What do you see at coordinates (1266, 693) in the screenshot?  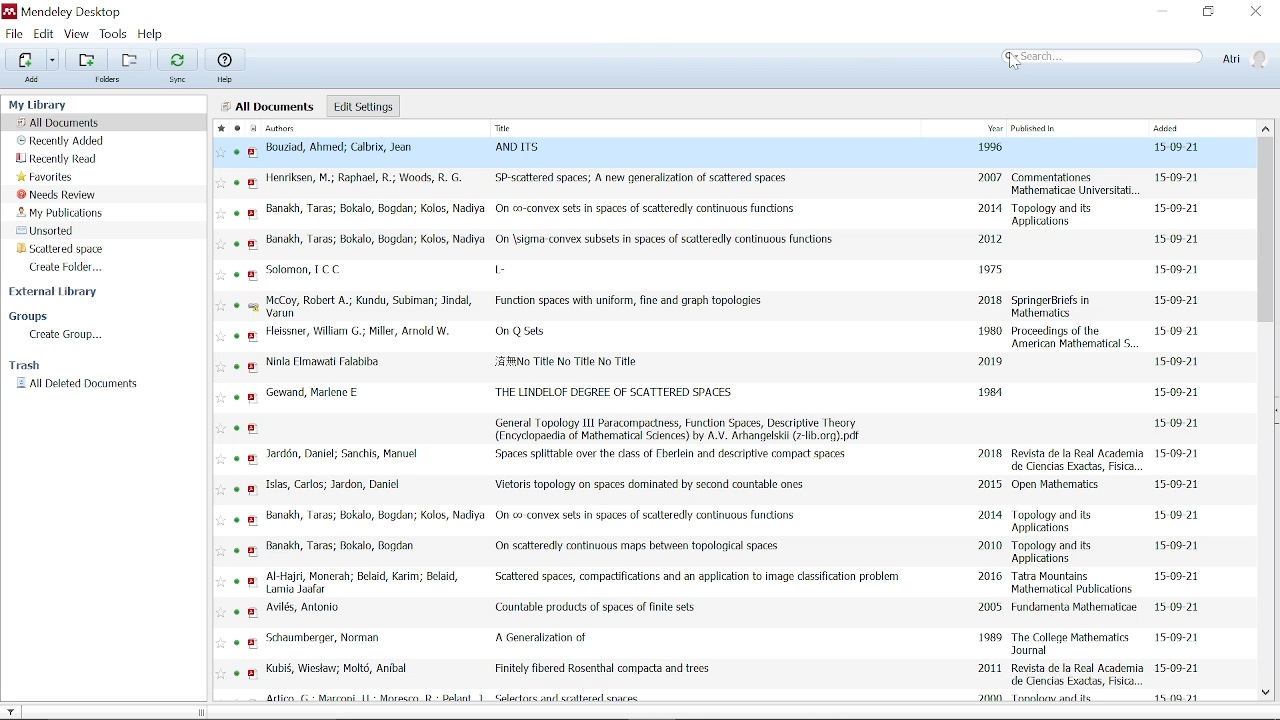 I see `Move down in all files` at bounding box center [1266, 693].